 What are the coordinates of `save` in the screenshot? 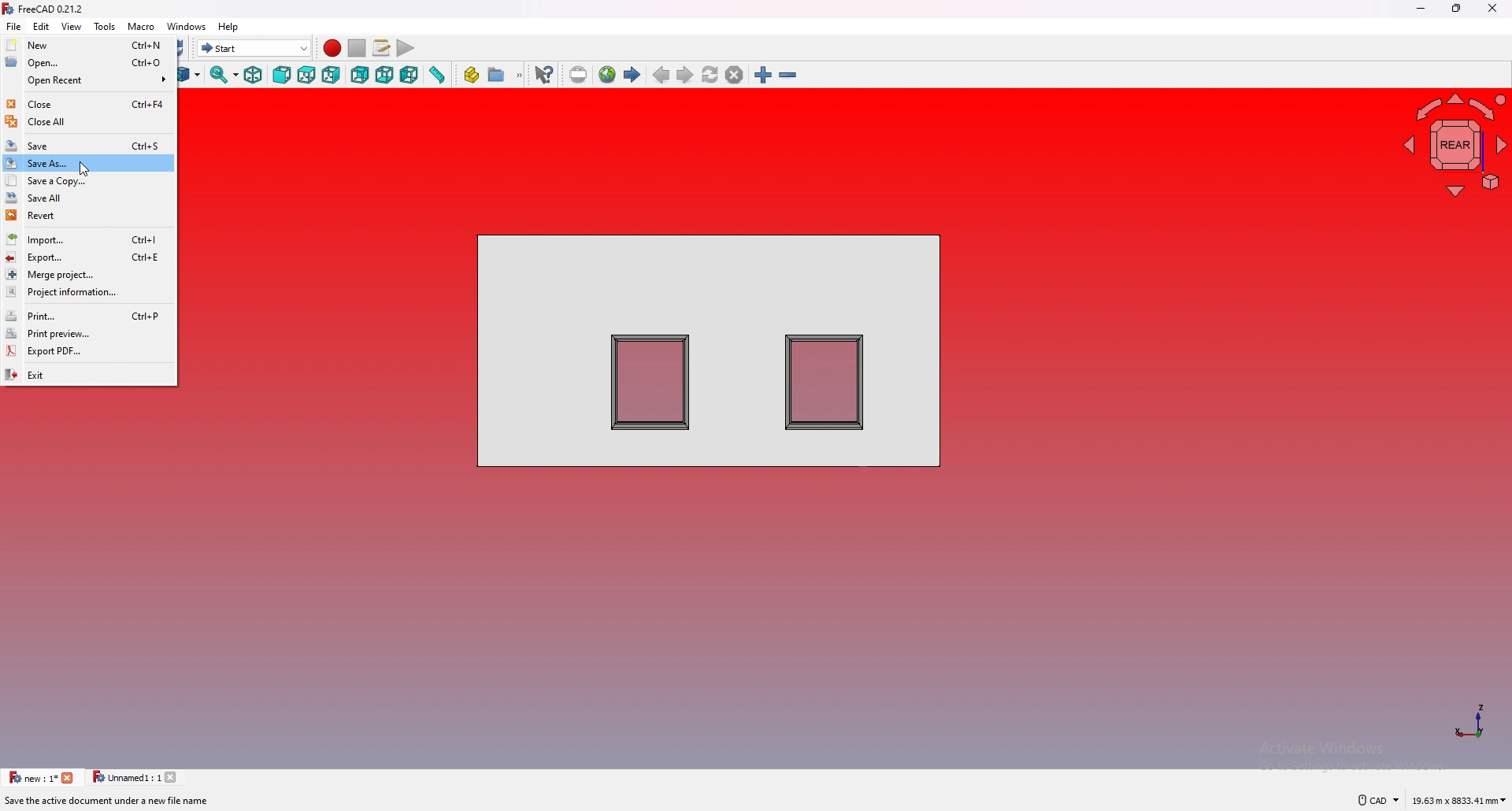 It's located at (88, 146).